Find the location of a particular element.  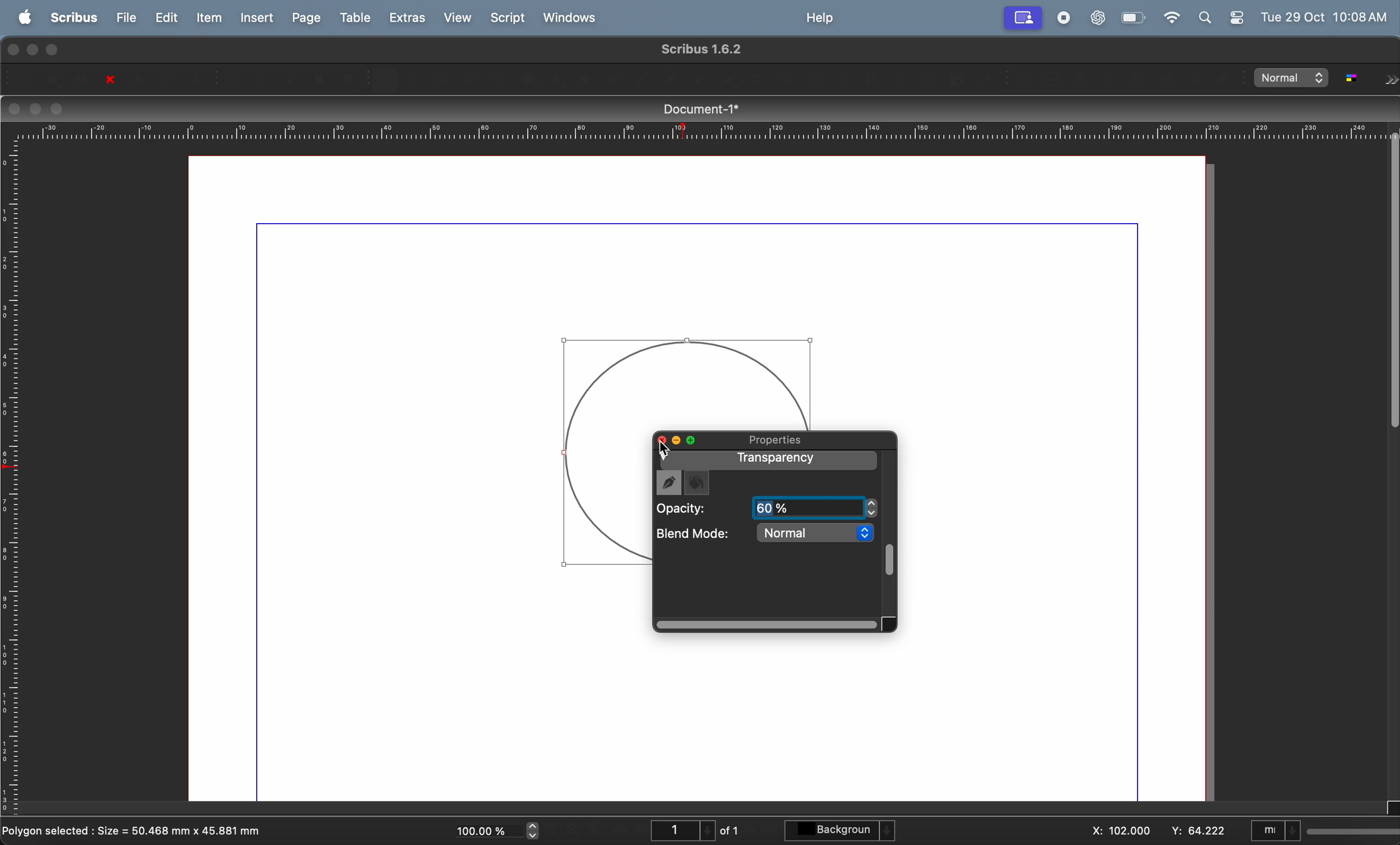

fill color is located at coordinates (697, 484).